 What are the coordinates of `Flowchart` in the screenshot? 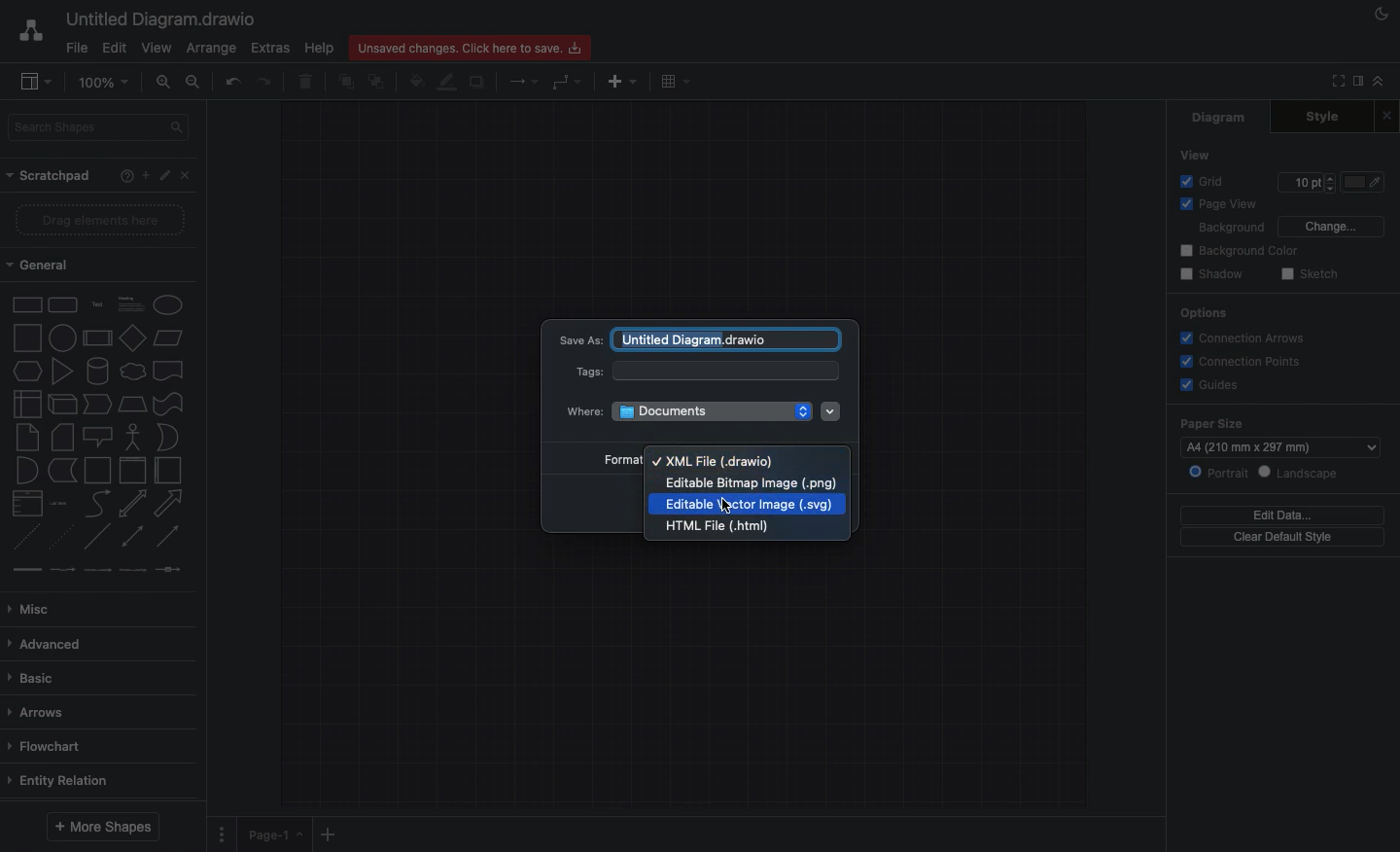 It's located at (44, 747).